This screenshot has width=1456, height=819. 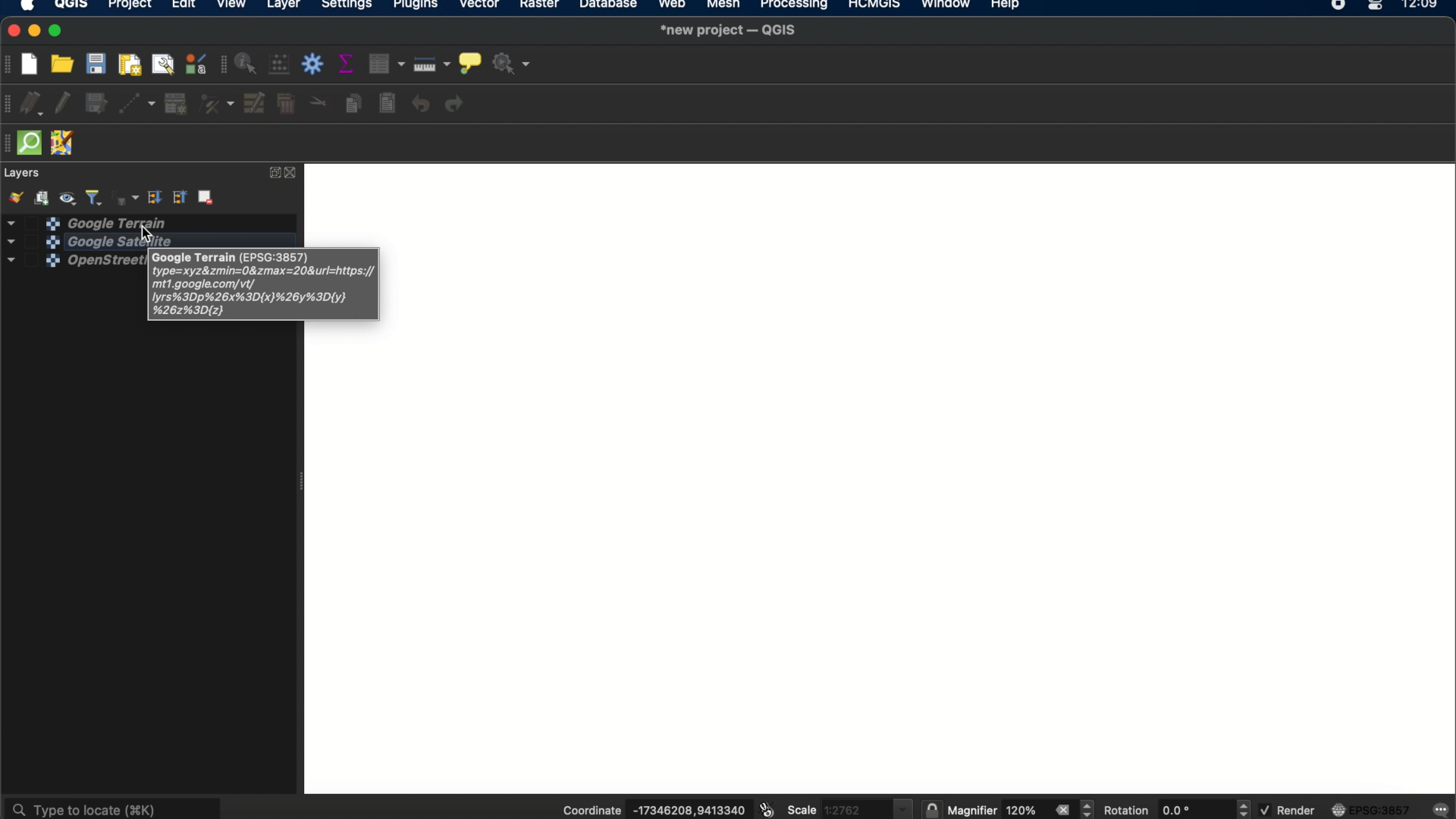 What do you see at coordinates (795, 6) in the screenshot?
I see `processing` at bounding box center [795, 6].